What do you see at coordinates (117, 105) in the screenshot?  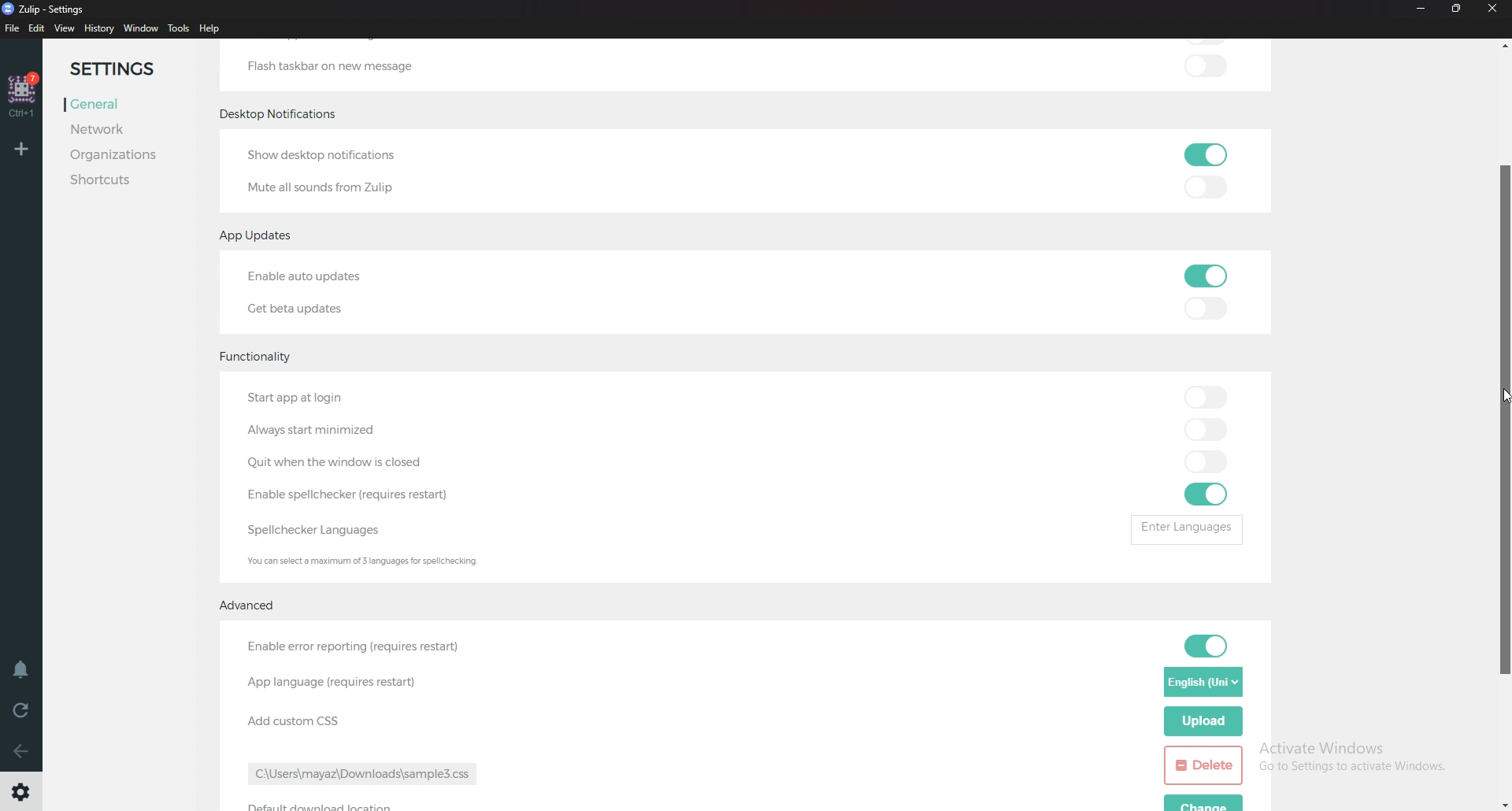 I see `General` at bounding box center [117, 105].